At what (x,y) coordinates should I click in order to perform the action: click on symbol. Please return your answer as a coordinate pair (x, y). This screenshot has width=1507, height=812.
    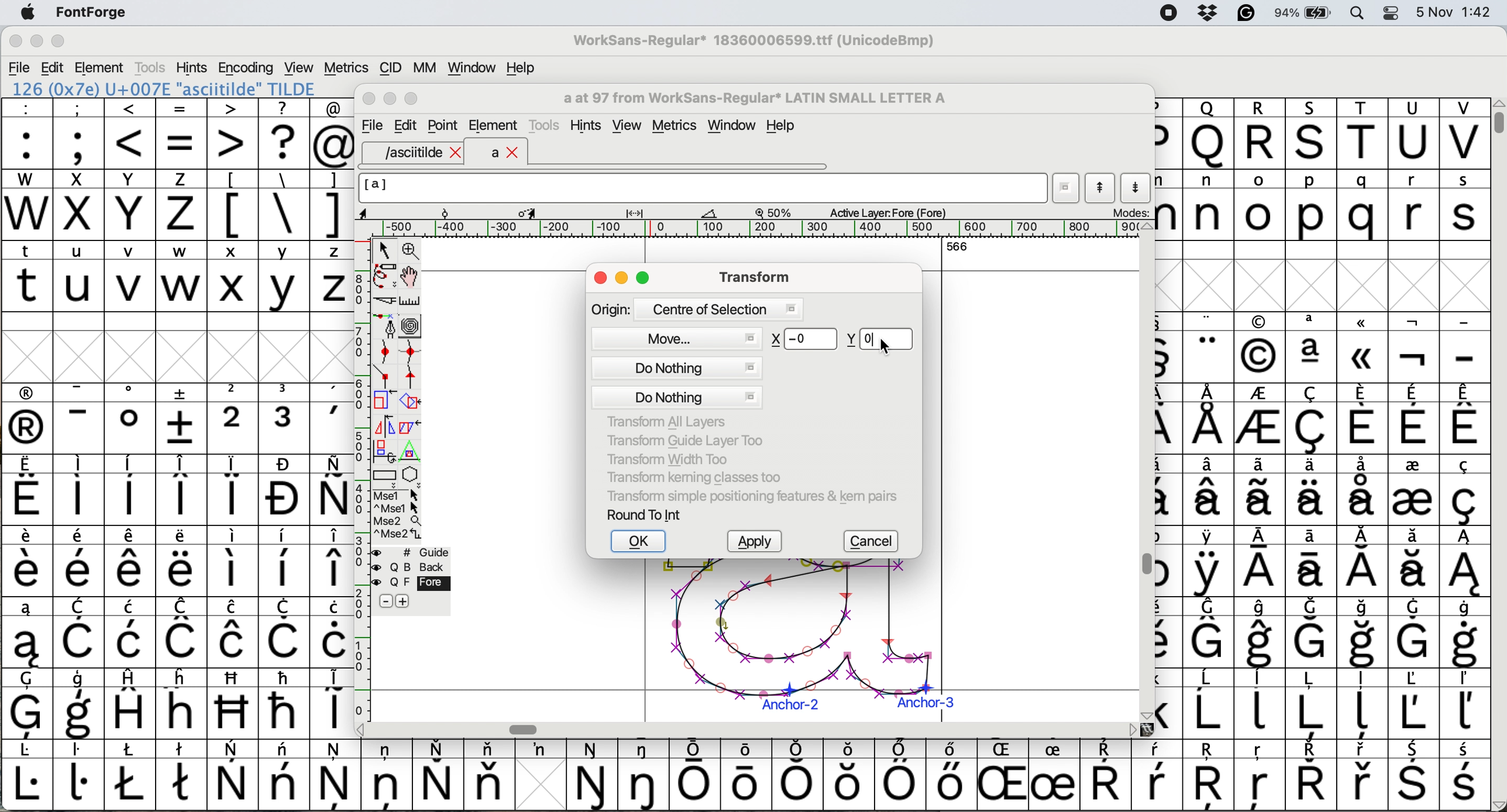
    Looking at the image, I should click on (183, 773).